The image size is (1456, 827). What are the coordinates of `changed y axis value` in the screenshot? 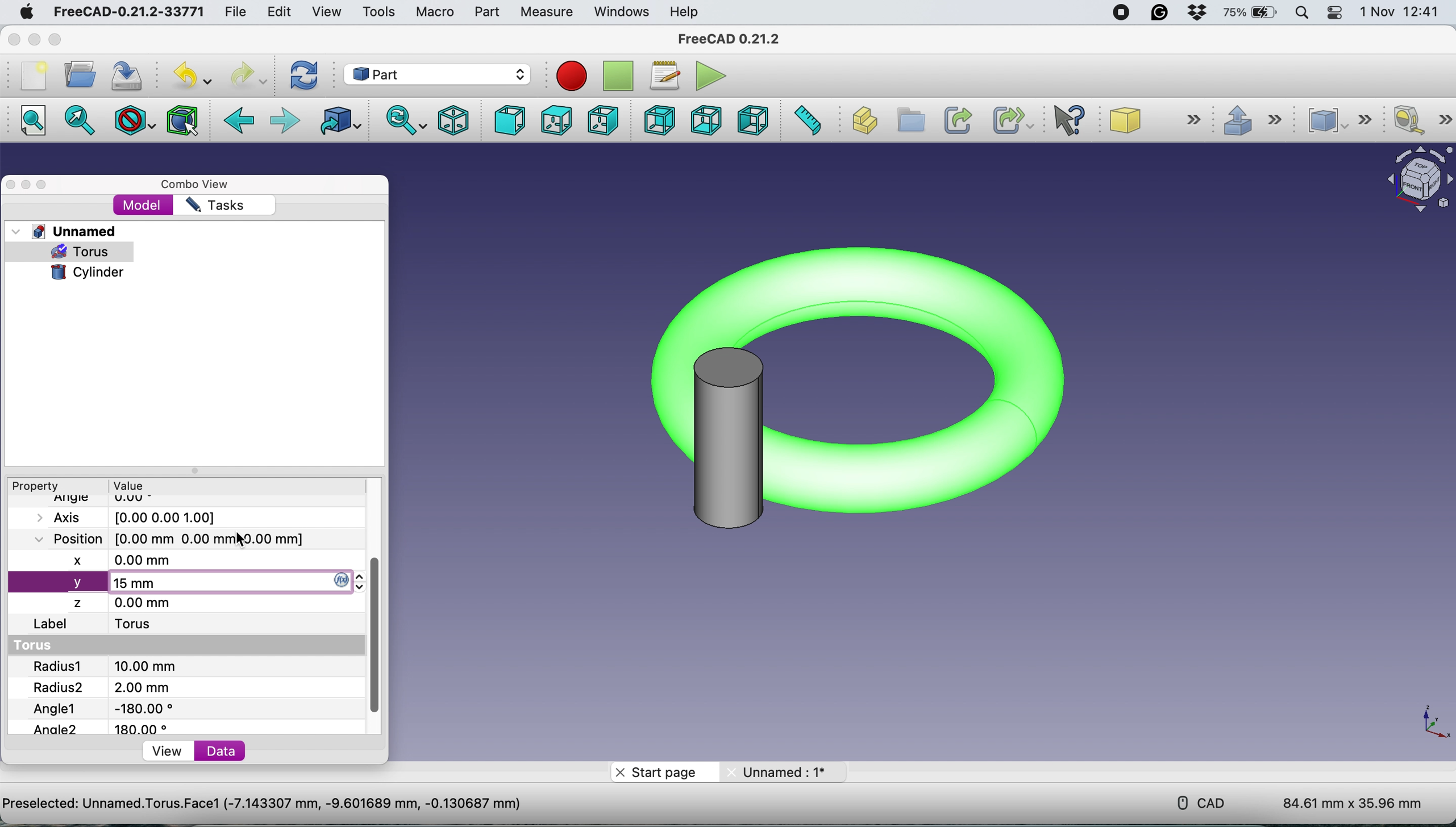 It's located at (133, 584).